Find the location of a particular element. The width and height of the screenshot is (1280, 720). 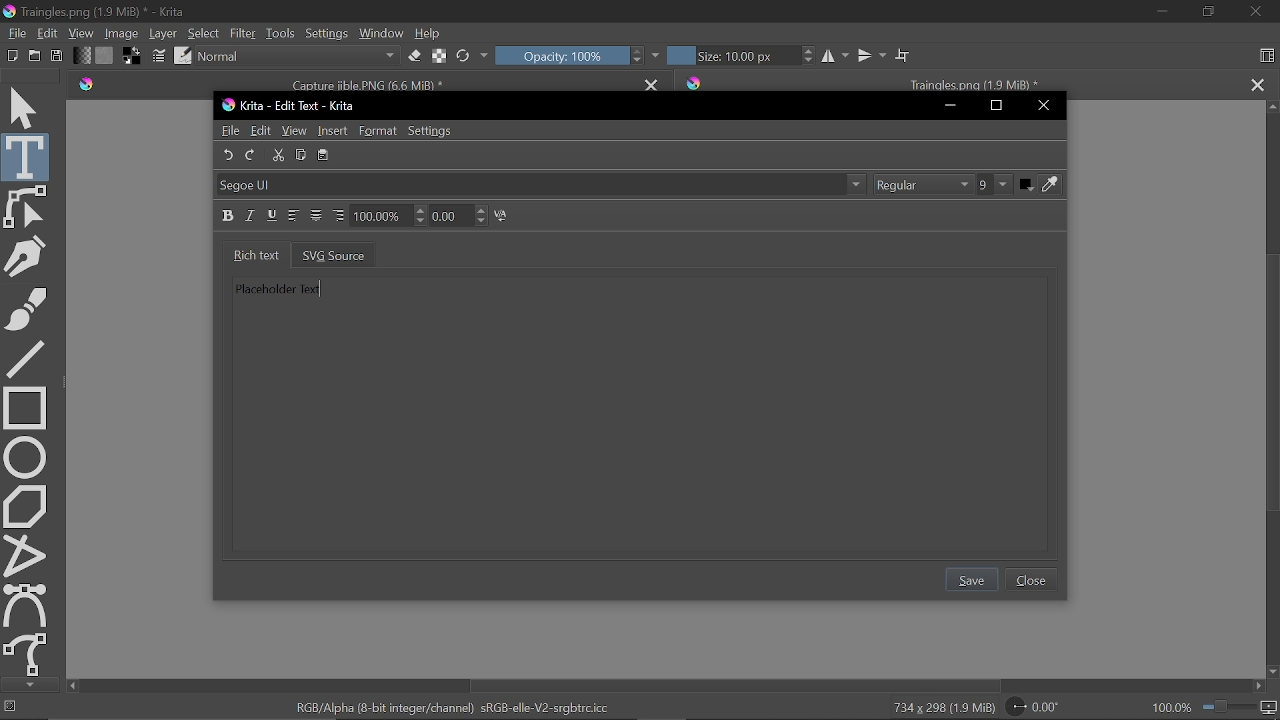

Select is located at coordinates (204, 34).